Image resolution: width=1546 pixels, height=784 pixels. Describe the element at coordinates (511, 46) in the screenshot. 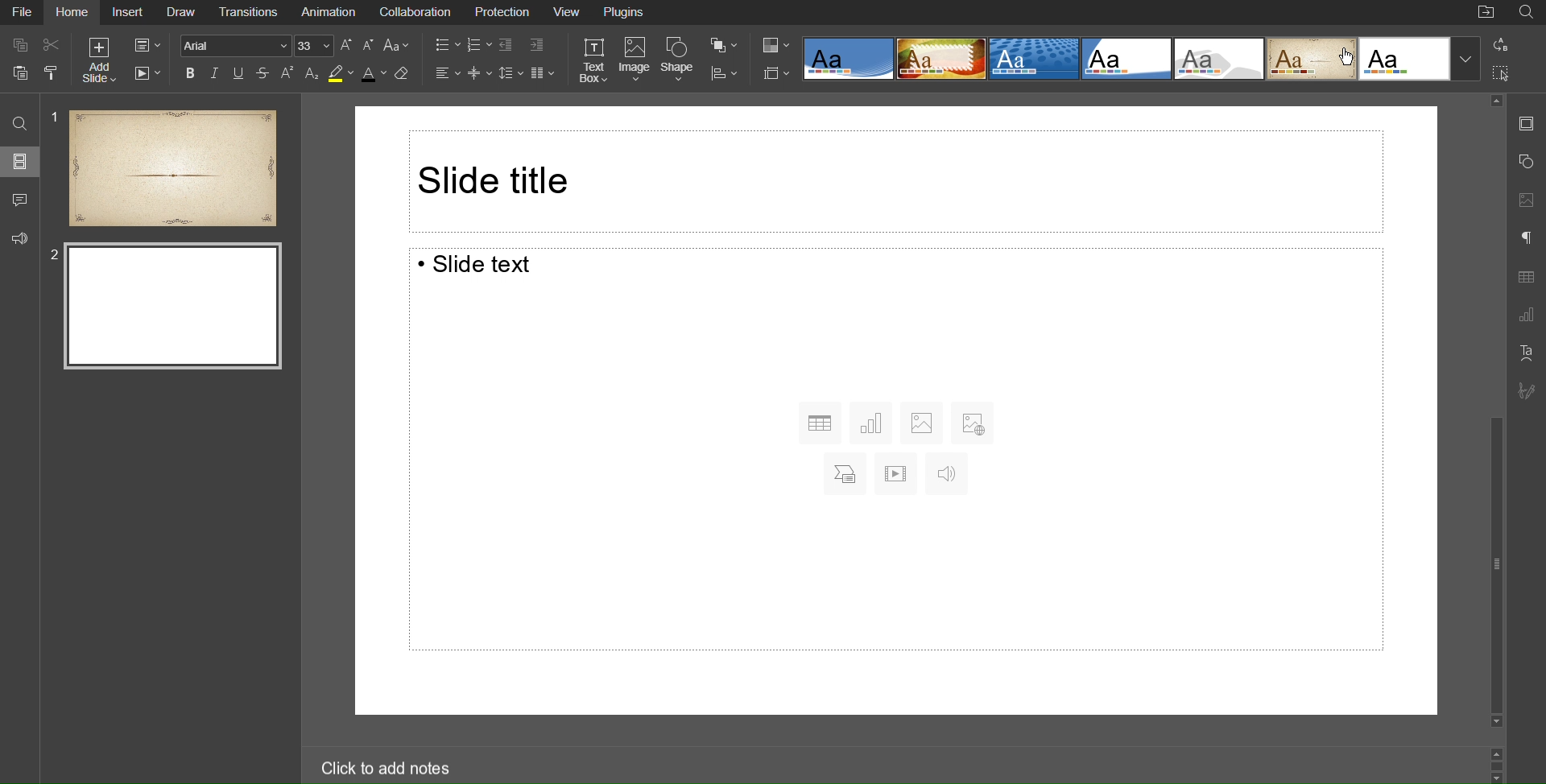

I see `Decrease Indent` at that location.